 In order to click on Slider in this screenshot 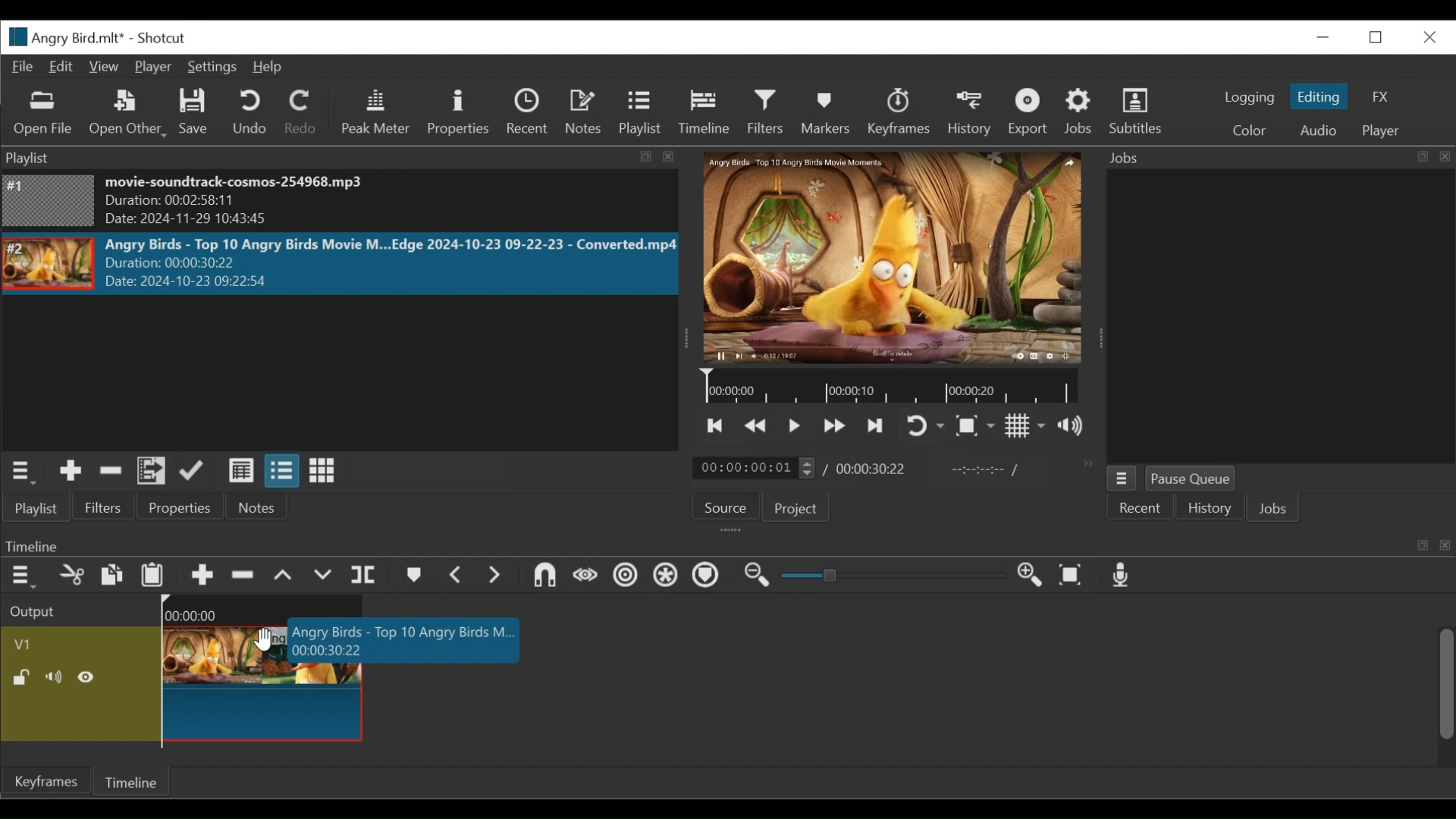, I will do `click(894, 577)`.